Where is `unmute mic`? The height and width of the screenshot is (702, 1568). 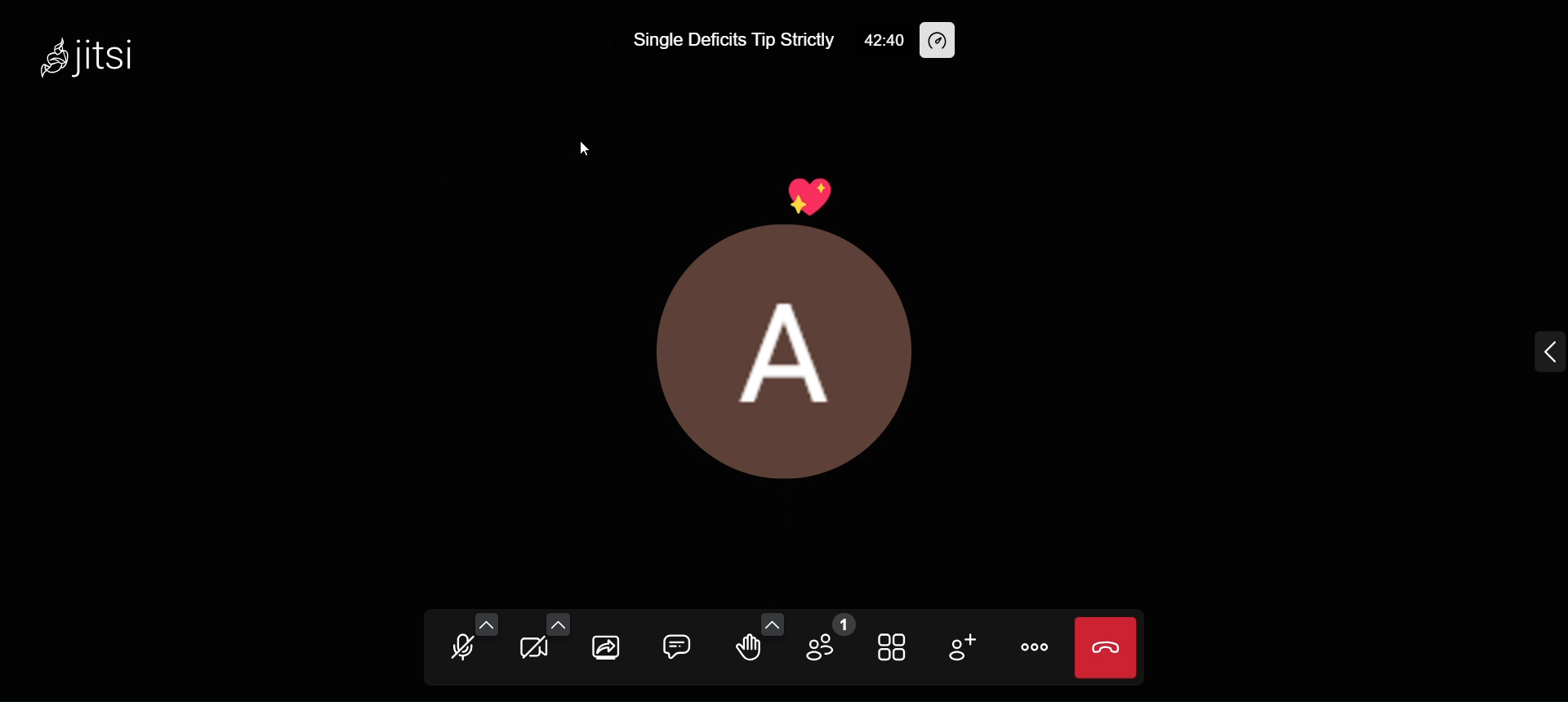 unmute mic is located at coordinates (457, 650).